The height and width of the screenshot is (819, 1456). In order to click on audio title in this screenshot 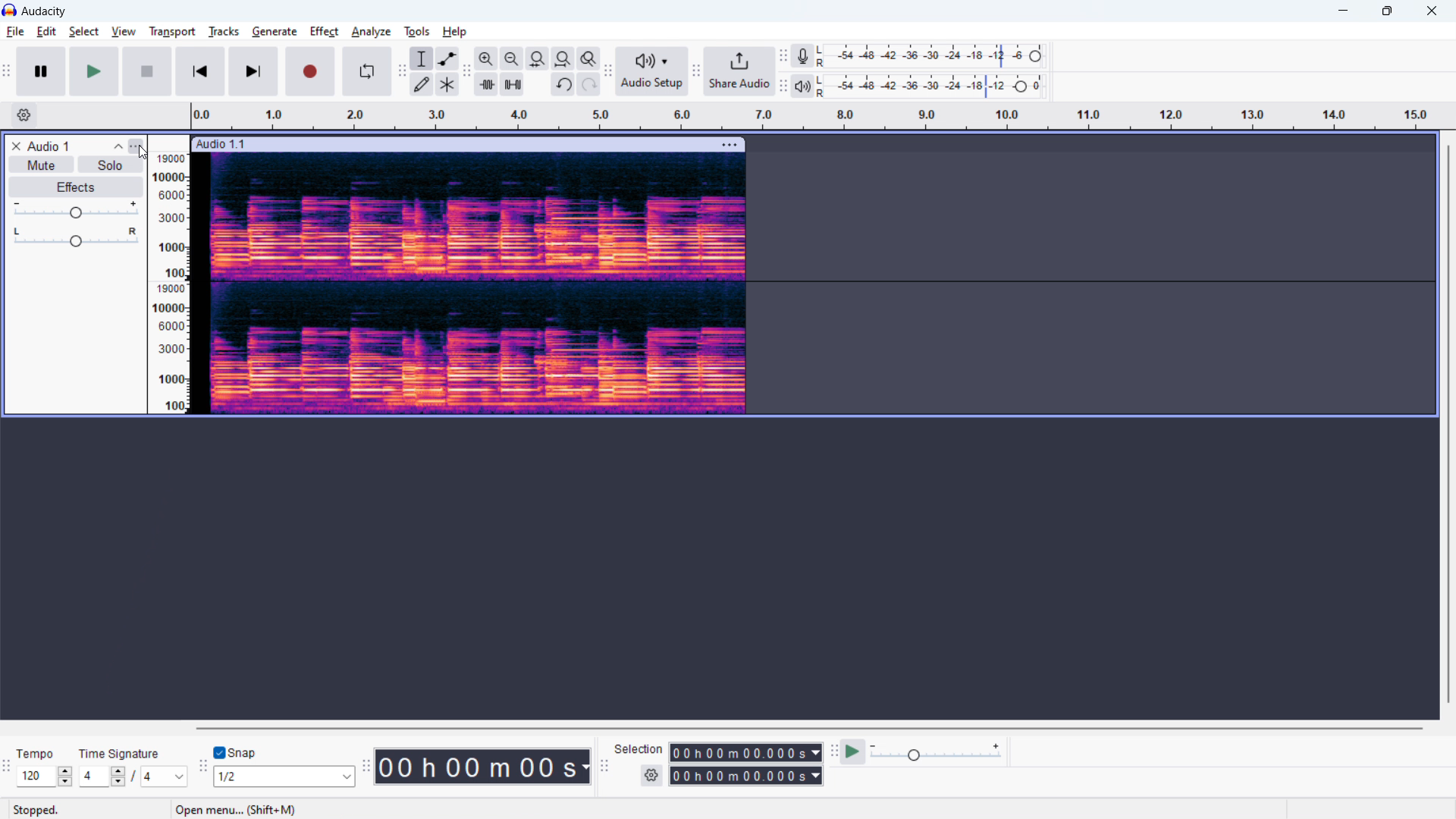, I will do `click(50, 146)`.